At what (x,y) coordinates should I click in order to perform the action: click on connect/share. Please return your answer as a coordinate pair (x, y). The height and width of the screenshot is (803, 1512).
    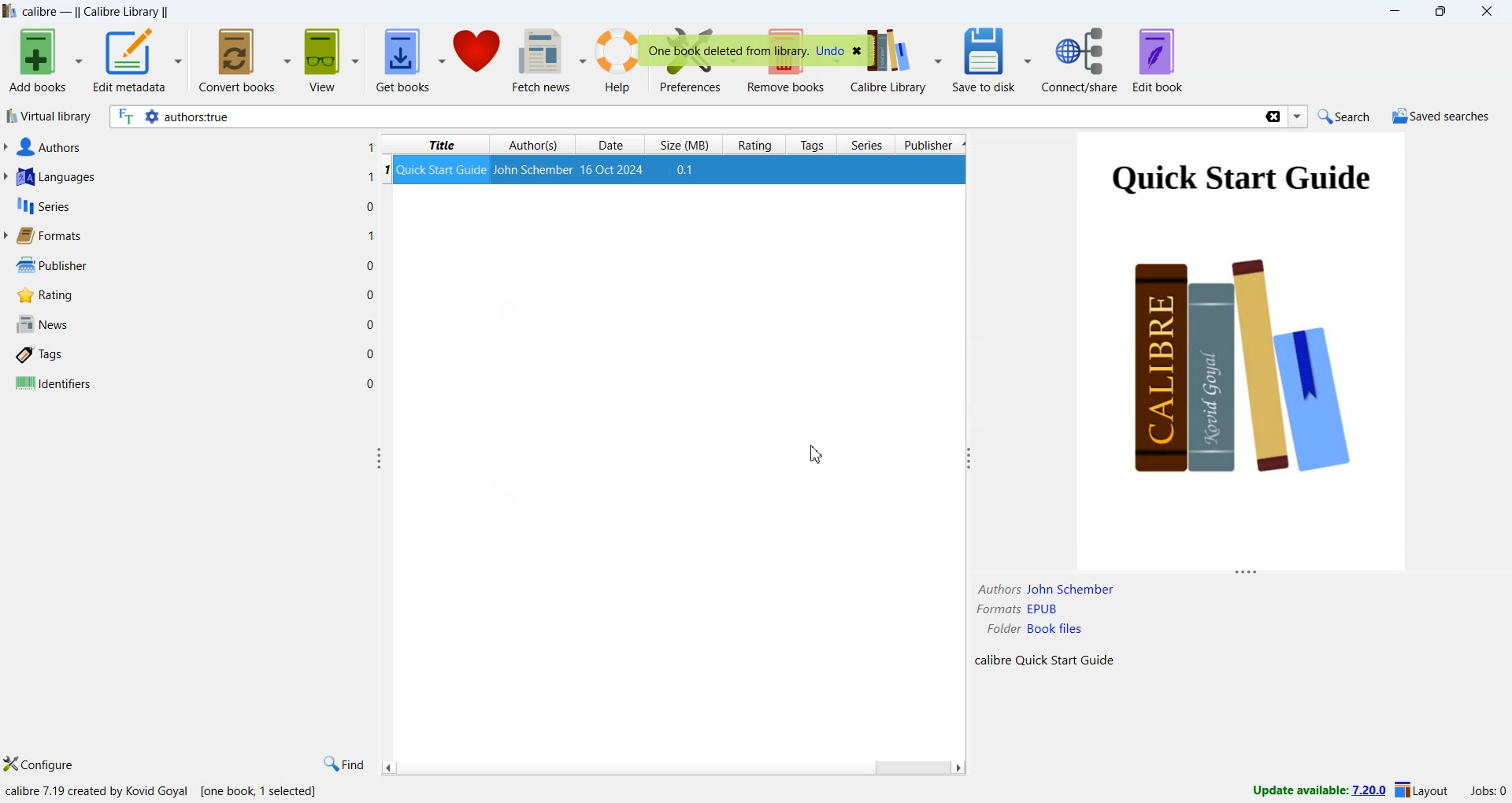
    Looking at the image, I should click on (1083, 60).